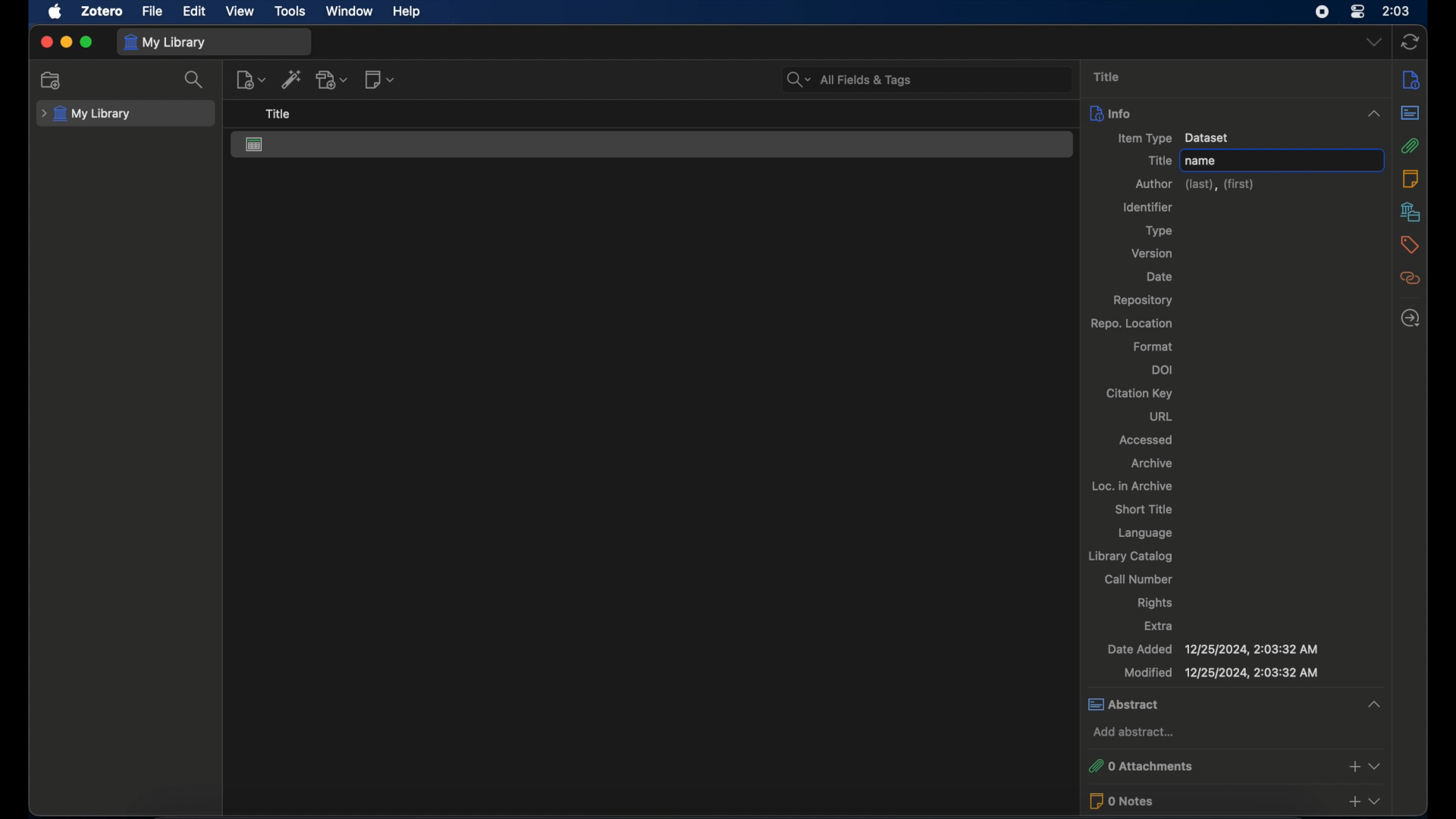  I want to click on 0 attachments, so click(1235, 764).